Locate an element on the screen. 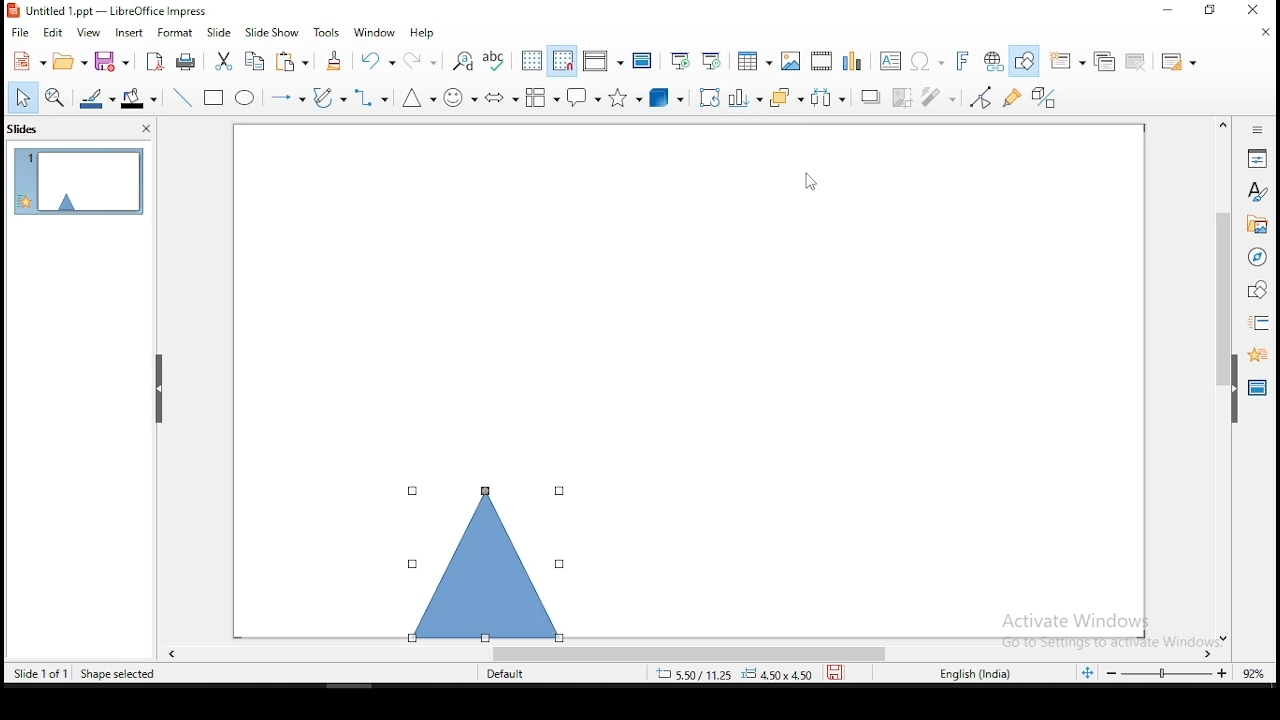 The height and width of the screenshot is (720, 1280). stars and banners is located at coordinates (624, 98).